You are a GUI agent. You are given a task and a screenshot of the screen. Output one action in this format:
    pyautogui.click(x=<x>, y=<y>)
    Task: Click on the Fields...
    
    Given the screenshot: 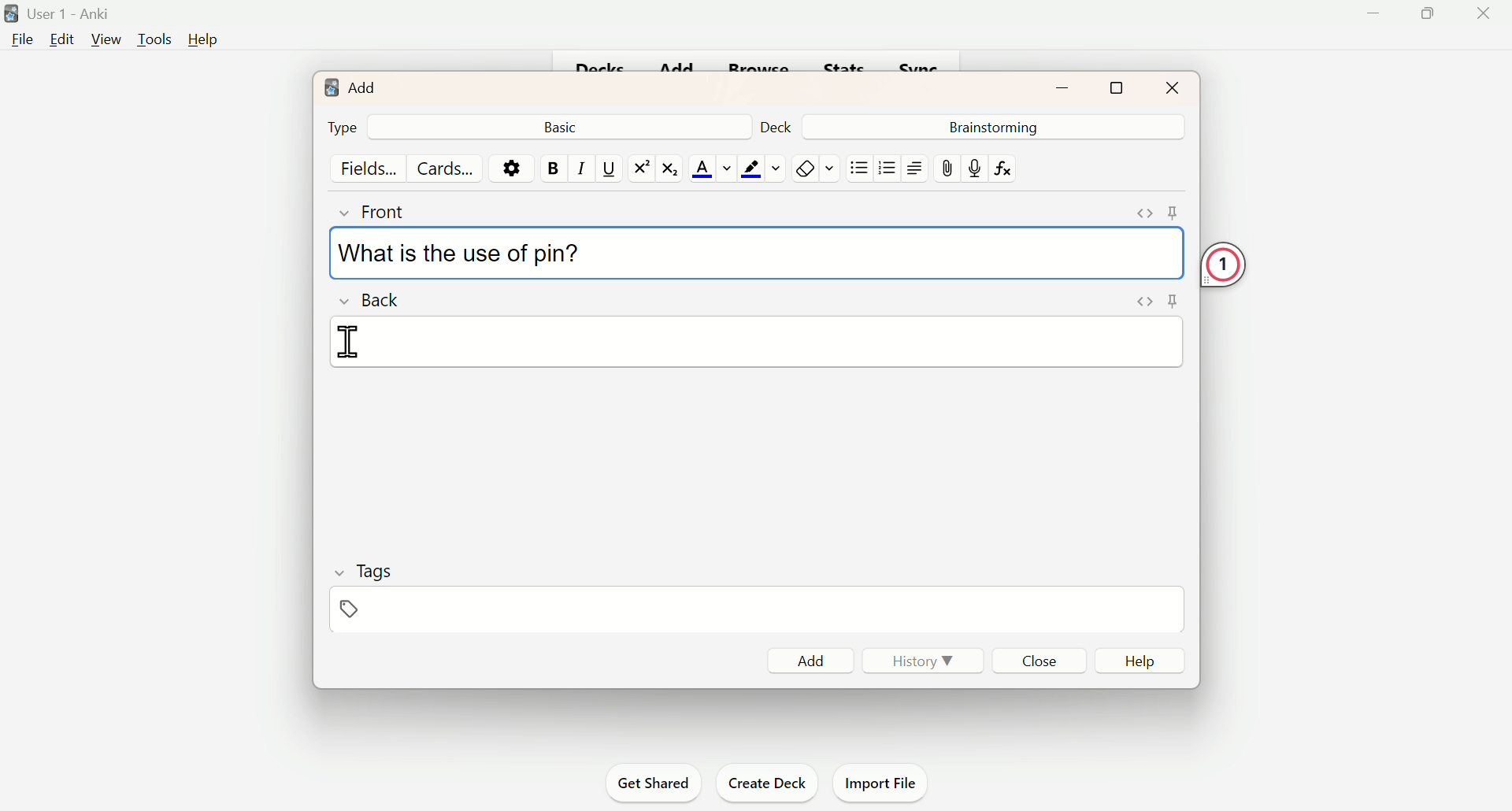 What is the action you would take?
    pyautogui.click(x=372, y=168)
    